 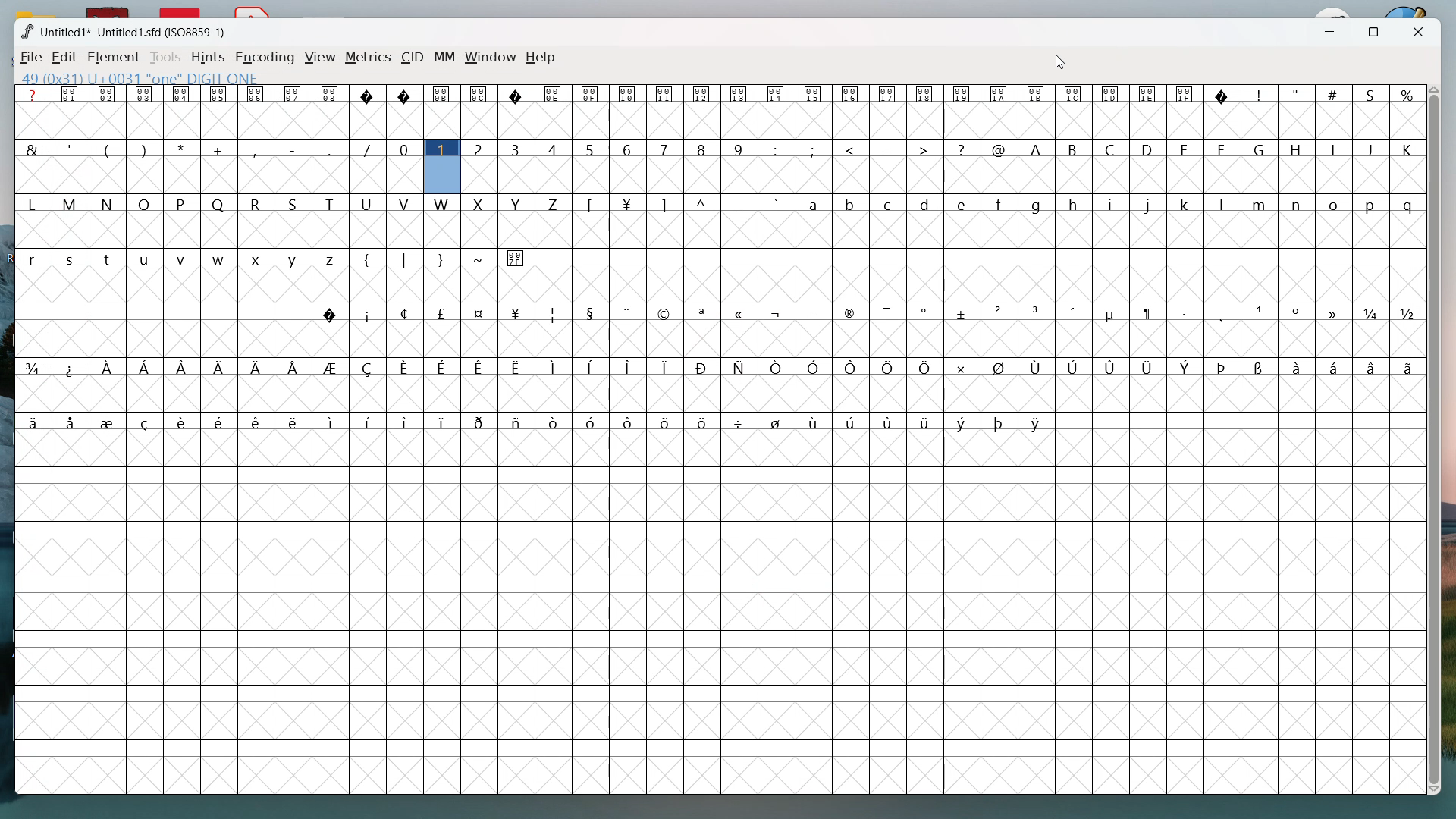 What do you see at coordinates (443, 422) in the screenshot?
I see `symbol` at bounding box center [443, 422].